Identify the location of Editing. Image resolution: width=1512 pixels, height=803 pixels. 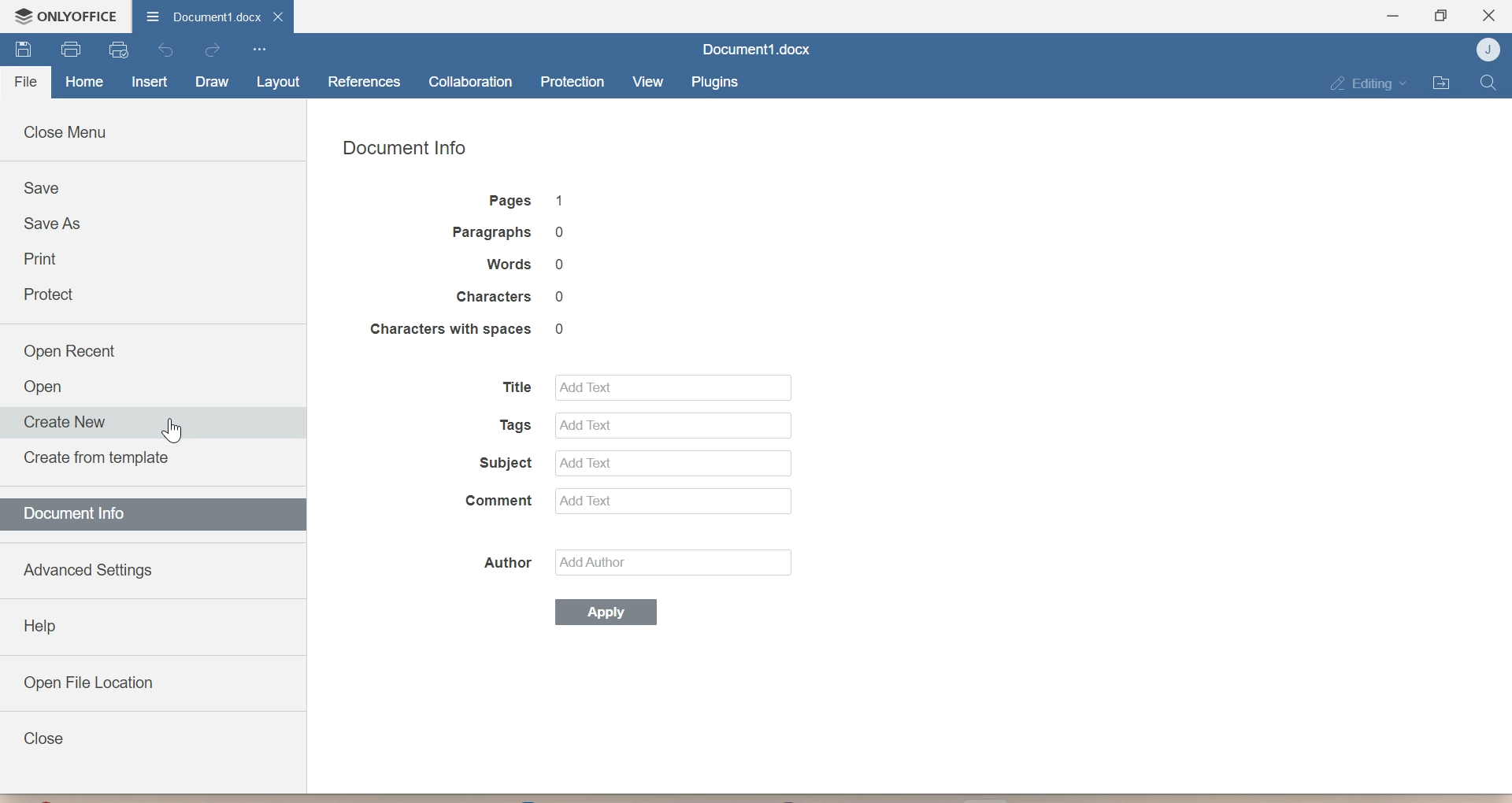
(1368, 83).